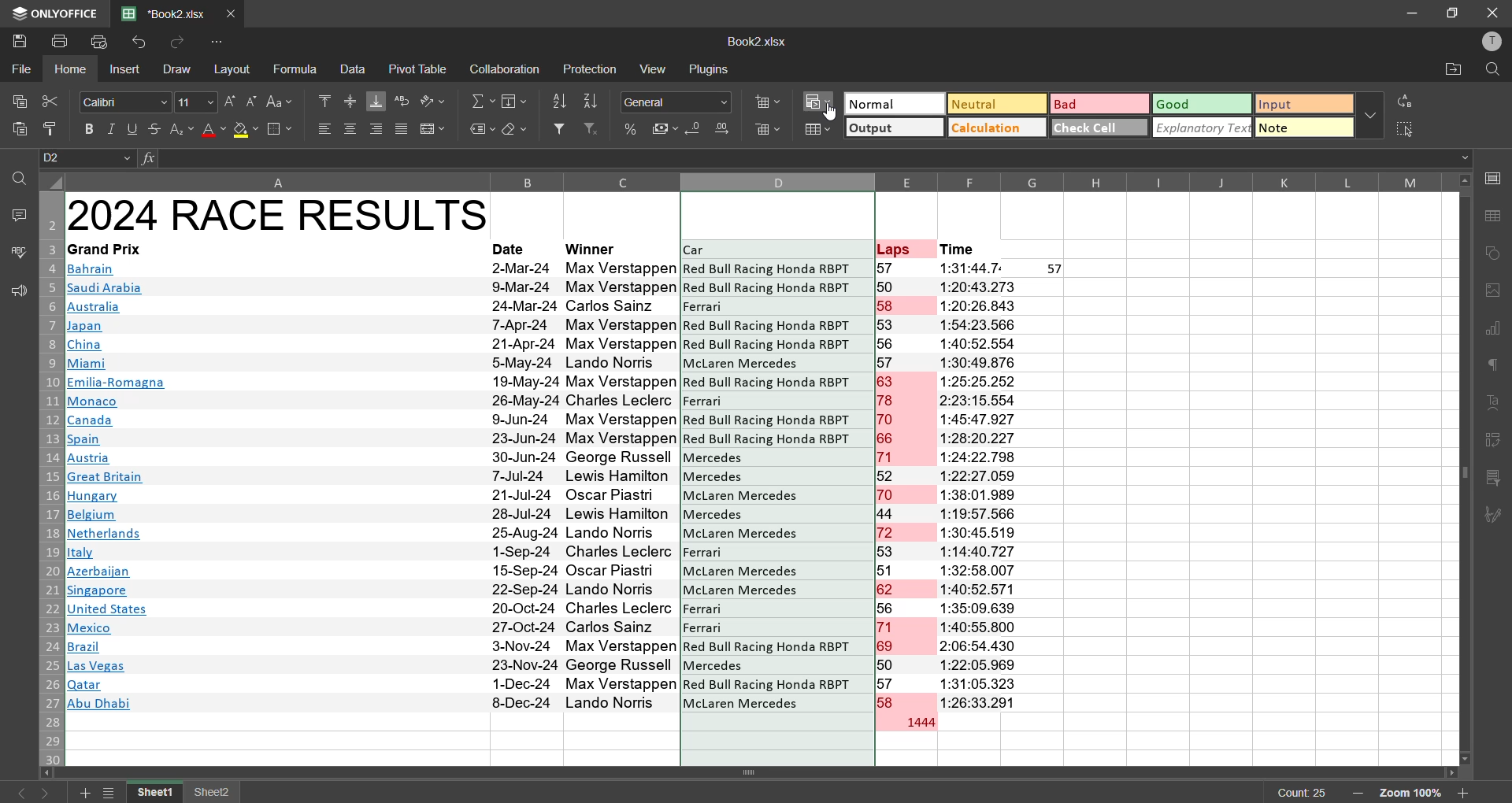 The image size is (1512, 803). I want to click on align right, so click(380, 128).